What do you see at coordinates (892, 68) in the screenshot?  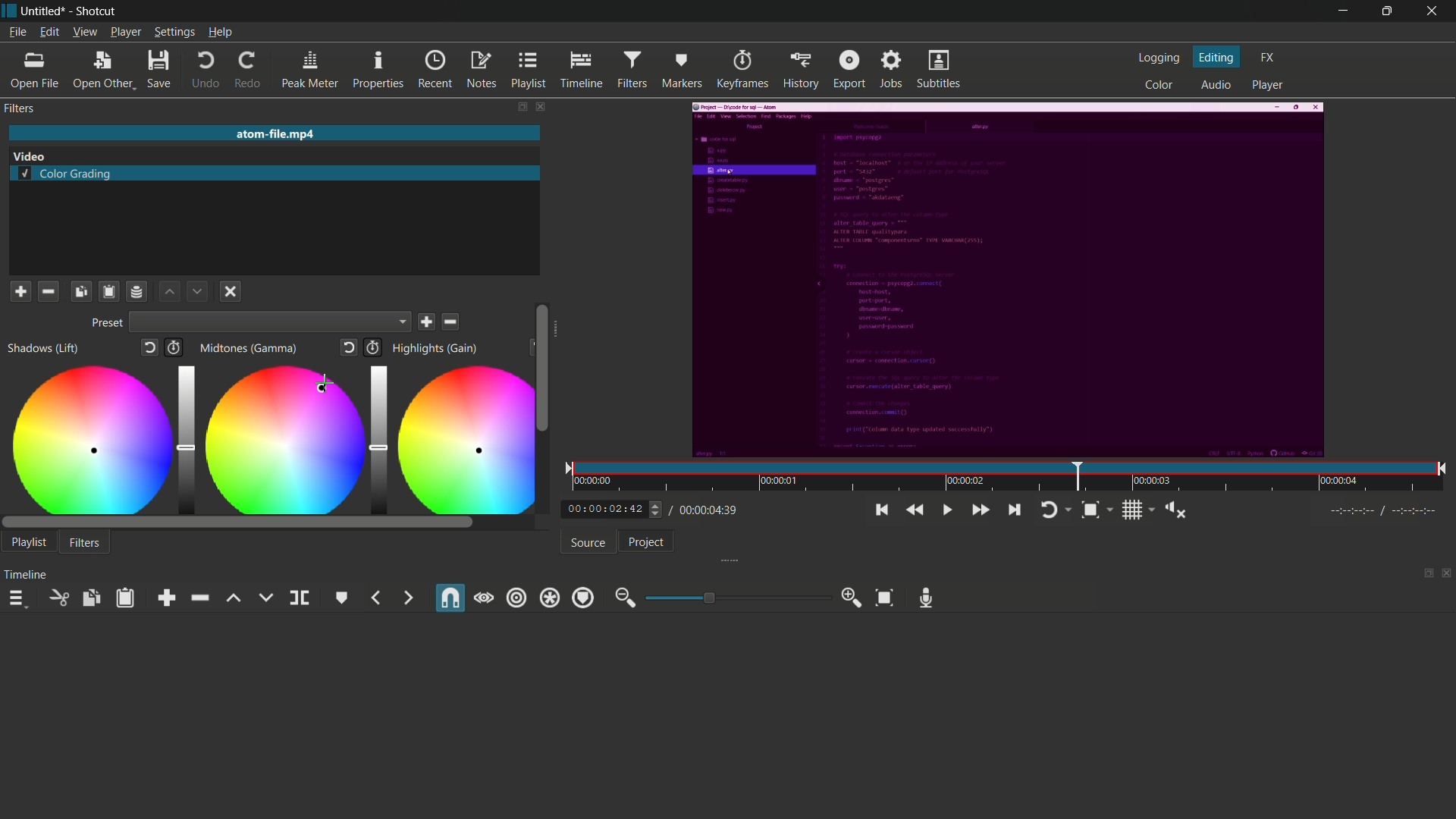 I see `jobs` at bounding box center [892, 68].